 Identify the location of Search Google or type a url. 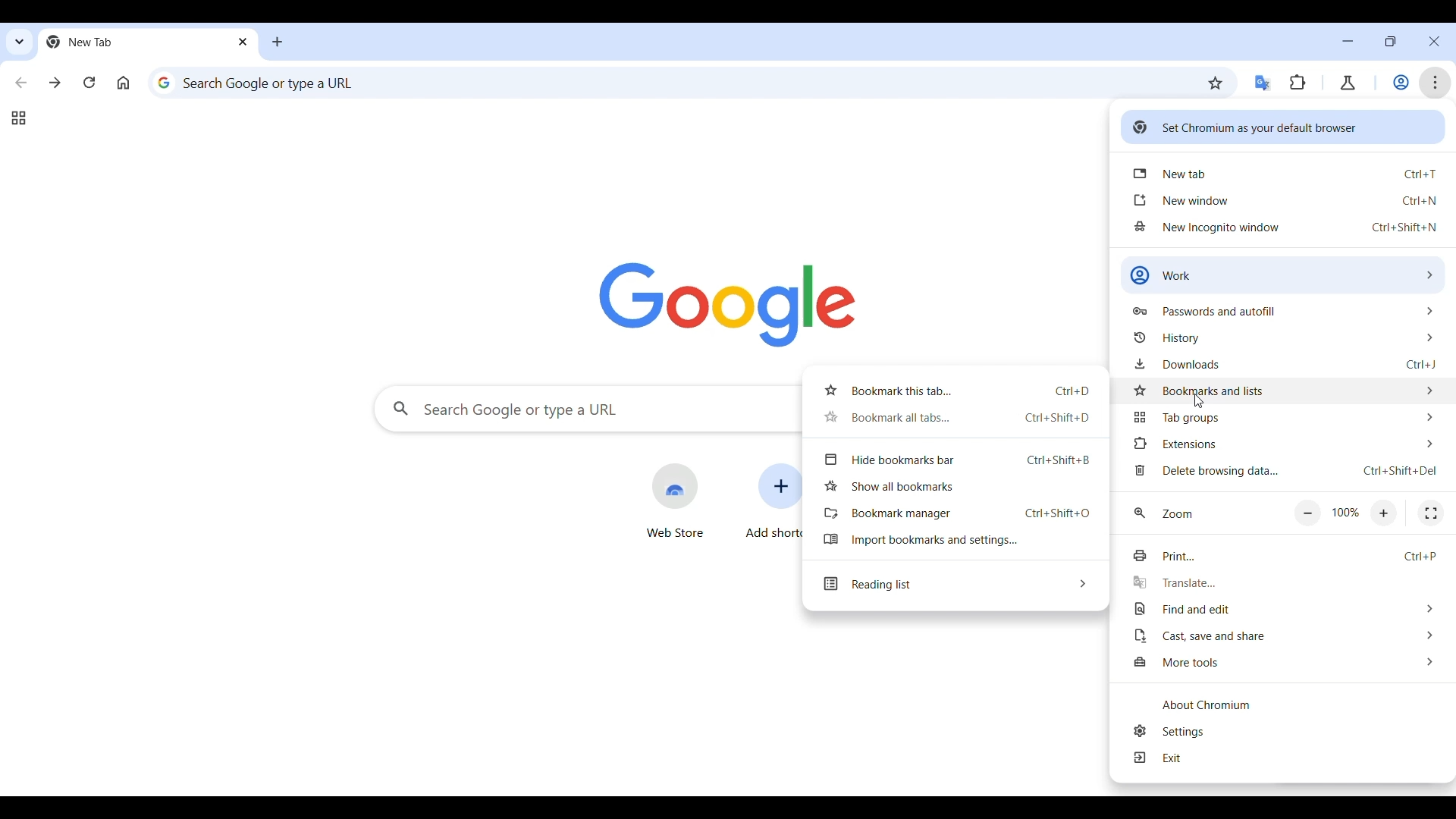
(670, 82).